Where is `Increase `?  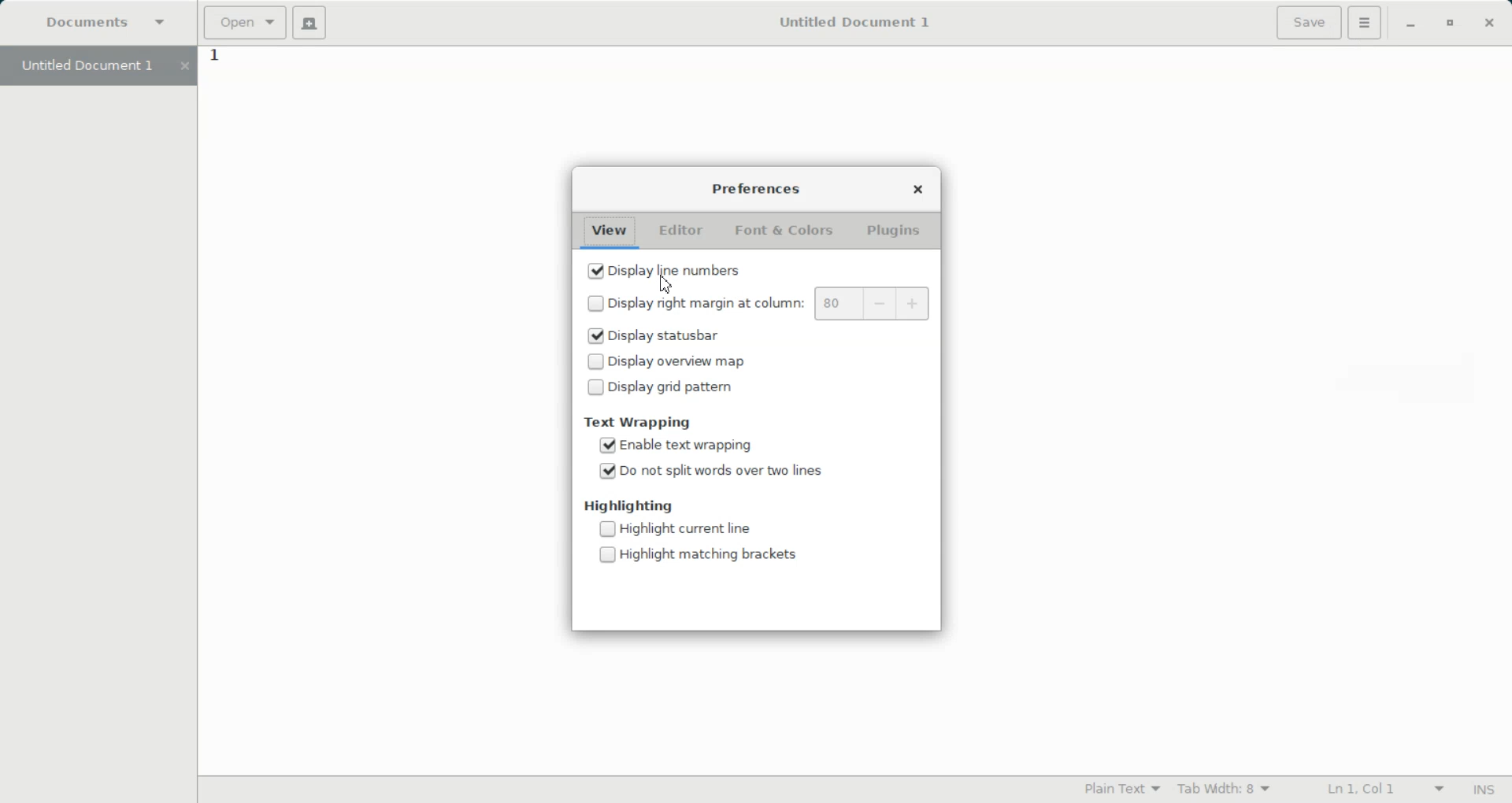
Increase  is located at coordinates (914, 303).